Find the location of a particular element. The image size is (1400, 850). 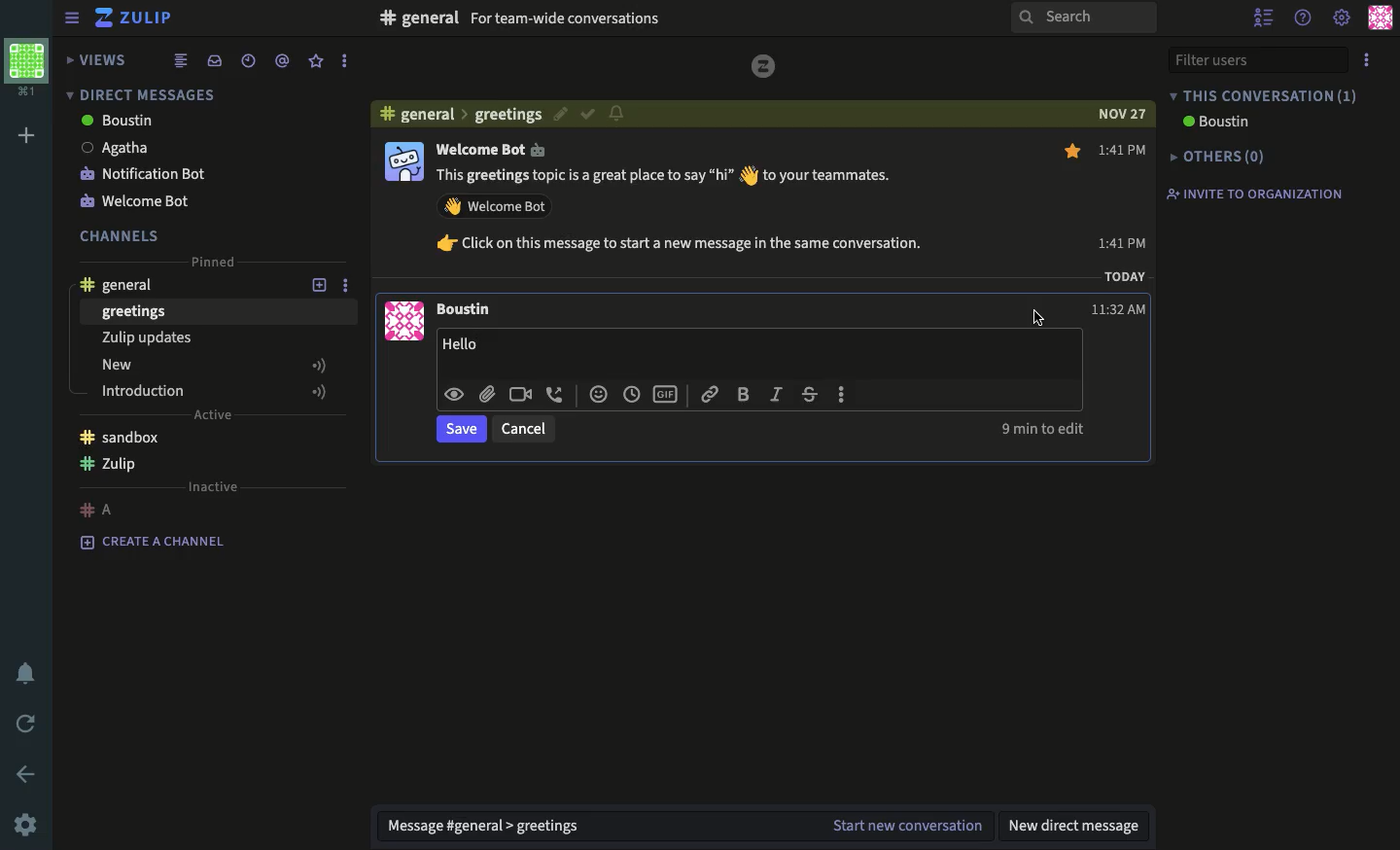

mention is located at coordinates (283, 60).